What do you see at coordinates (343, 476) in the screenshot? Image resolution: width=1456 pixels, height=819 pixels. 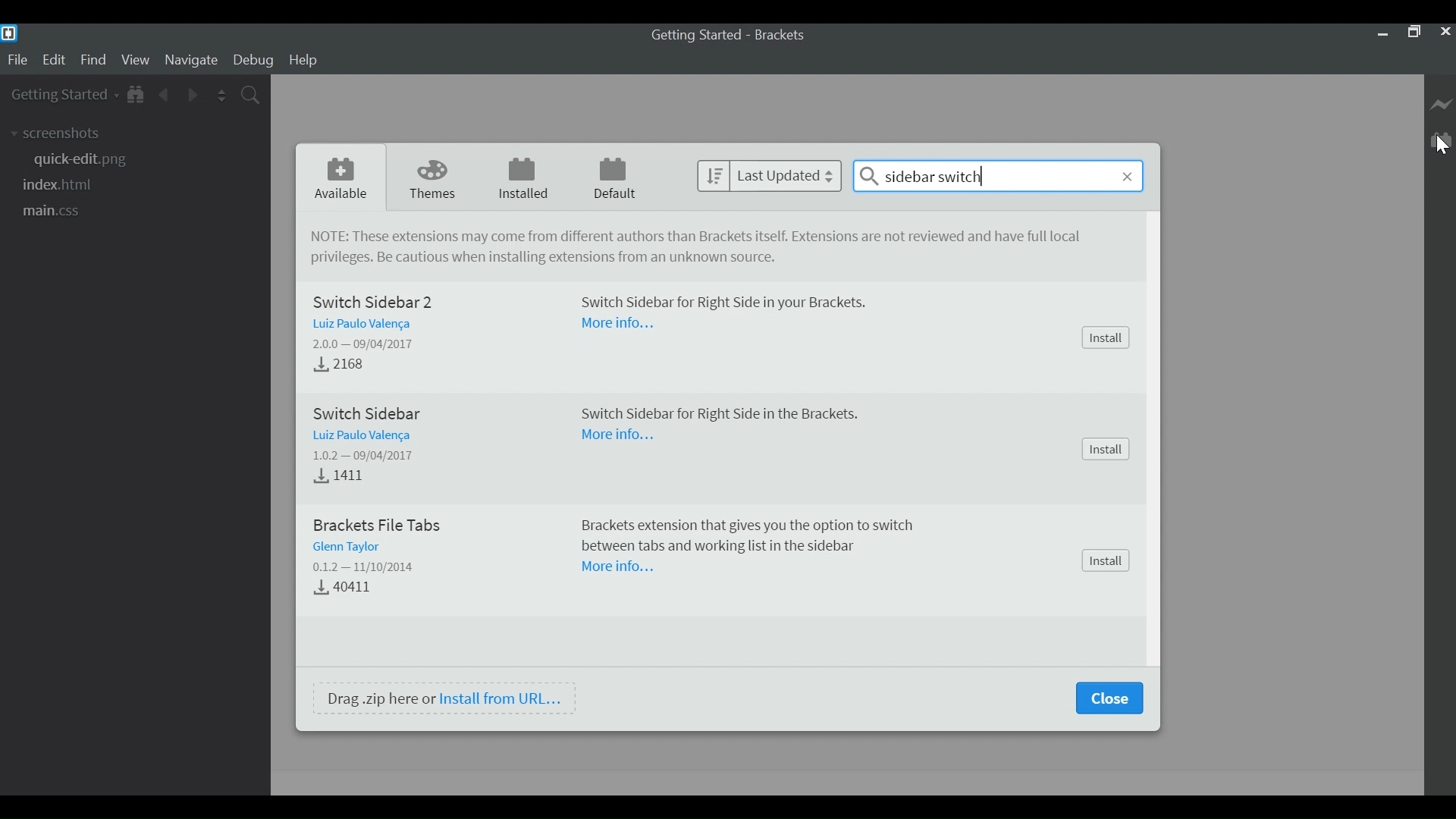 I see `Downloads` at bounding box center [343, 476].